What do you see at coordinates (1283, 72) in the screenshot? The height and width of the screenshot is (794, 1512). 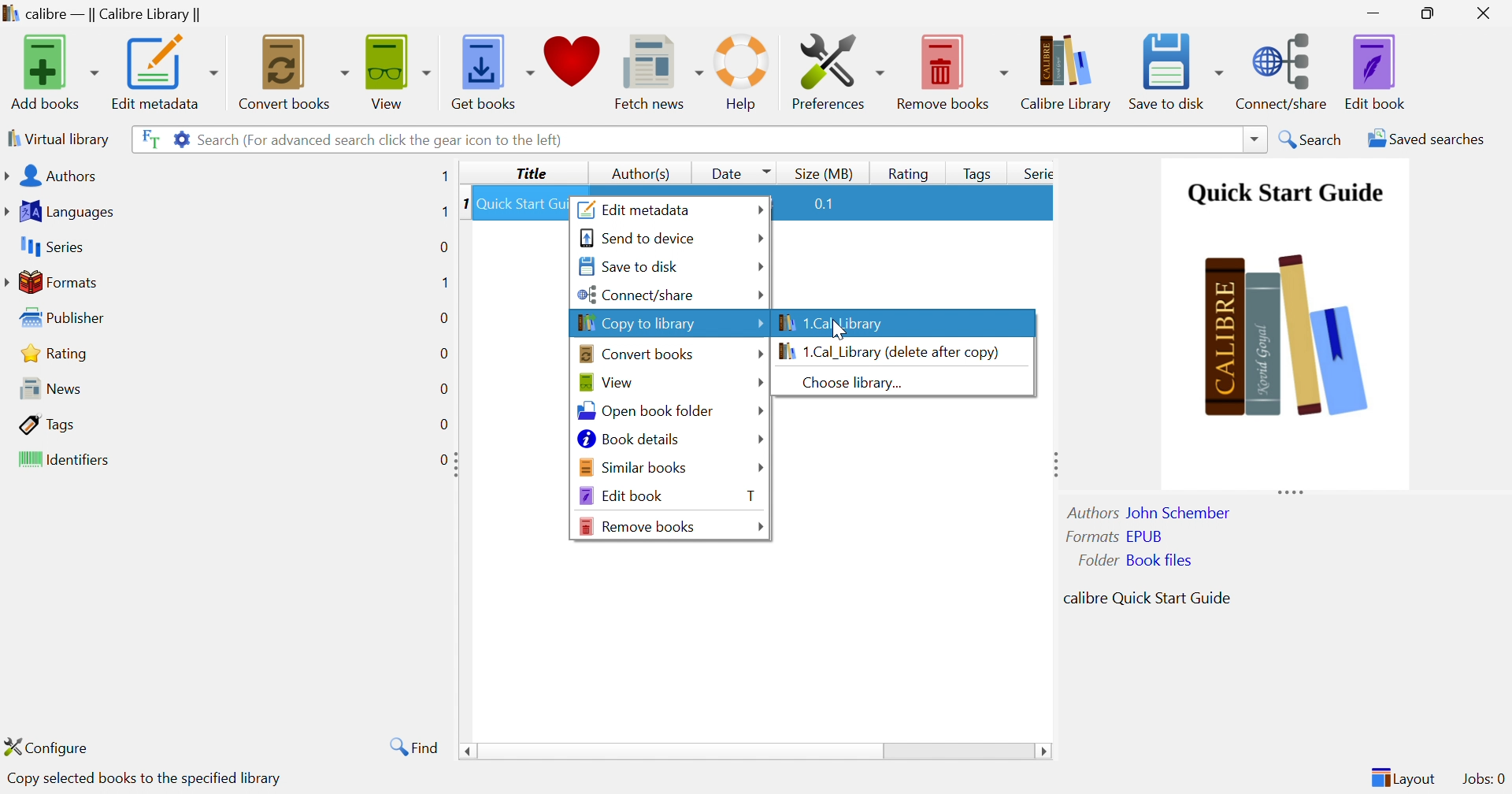 I see `Connect/share` at bounding box center [1283, 72].